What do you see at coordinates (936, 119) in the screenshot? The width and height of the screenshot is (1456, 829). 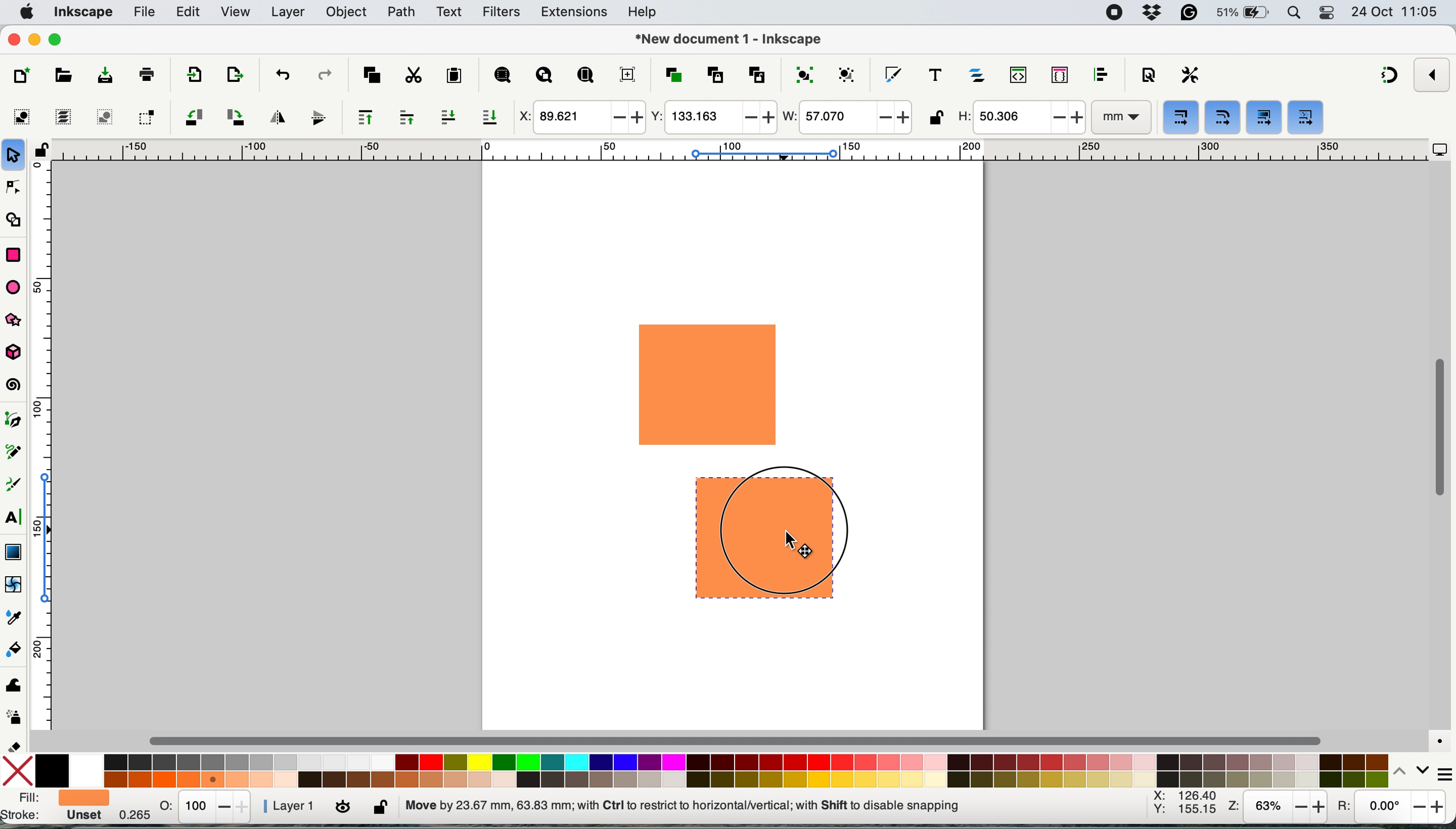 I see `lock unlock` at bounding box center [936, 119].